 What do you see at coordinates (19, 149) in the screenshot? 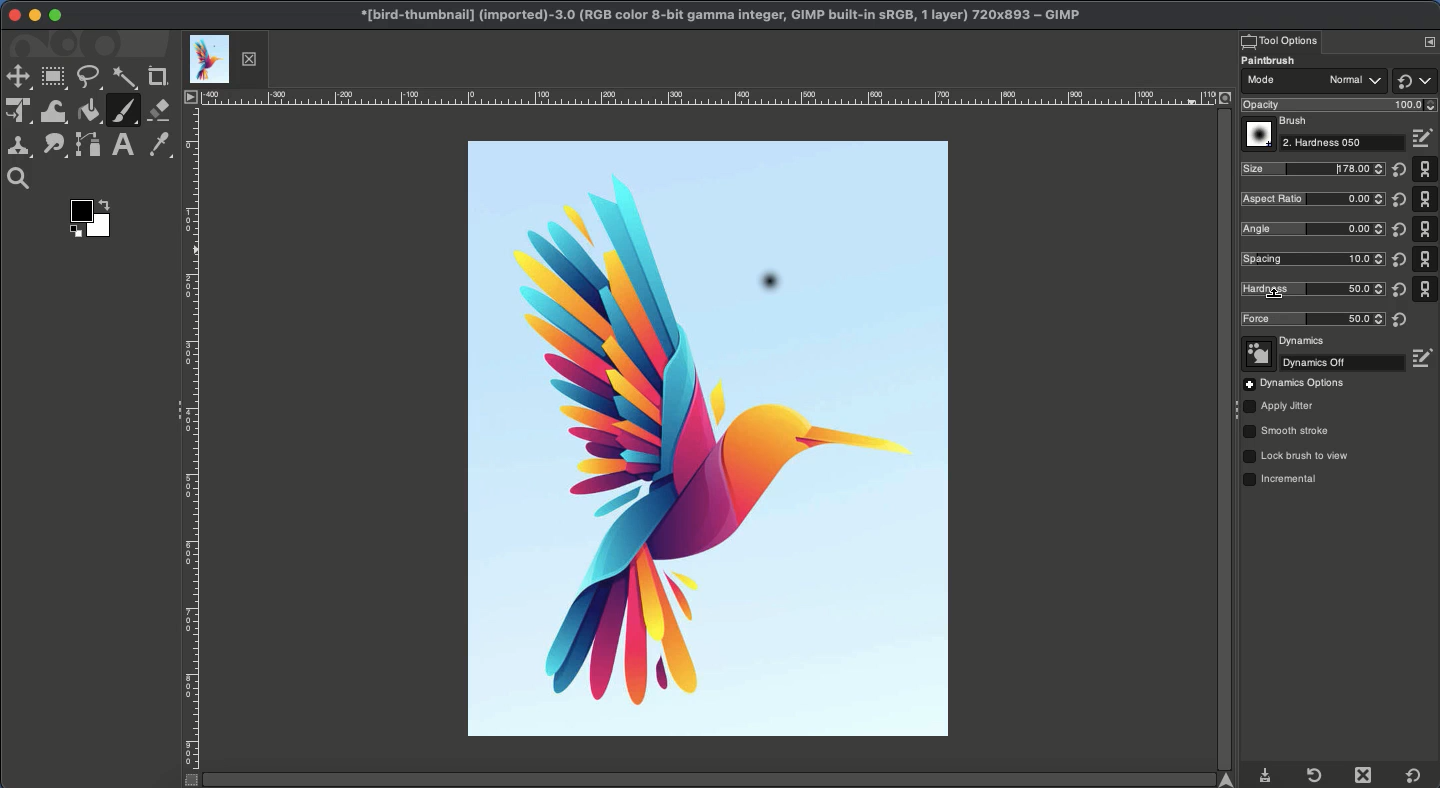
I see `Clone` at bounding box center [19, 149].